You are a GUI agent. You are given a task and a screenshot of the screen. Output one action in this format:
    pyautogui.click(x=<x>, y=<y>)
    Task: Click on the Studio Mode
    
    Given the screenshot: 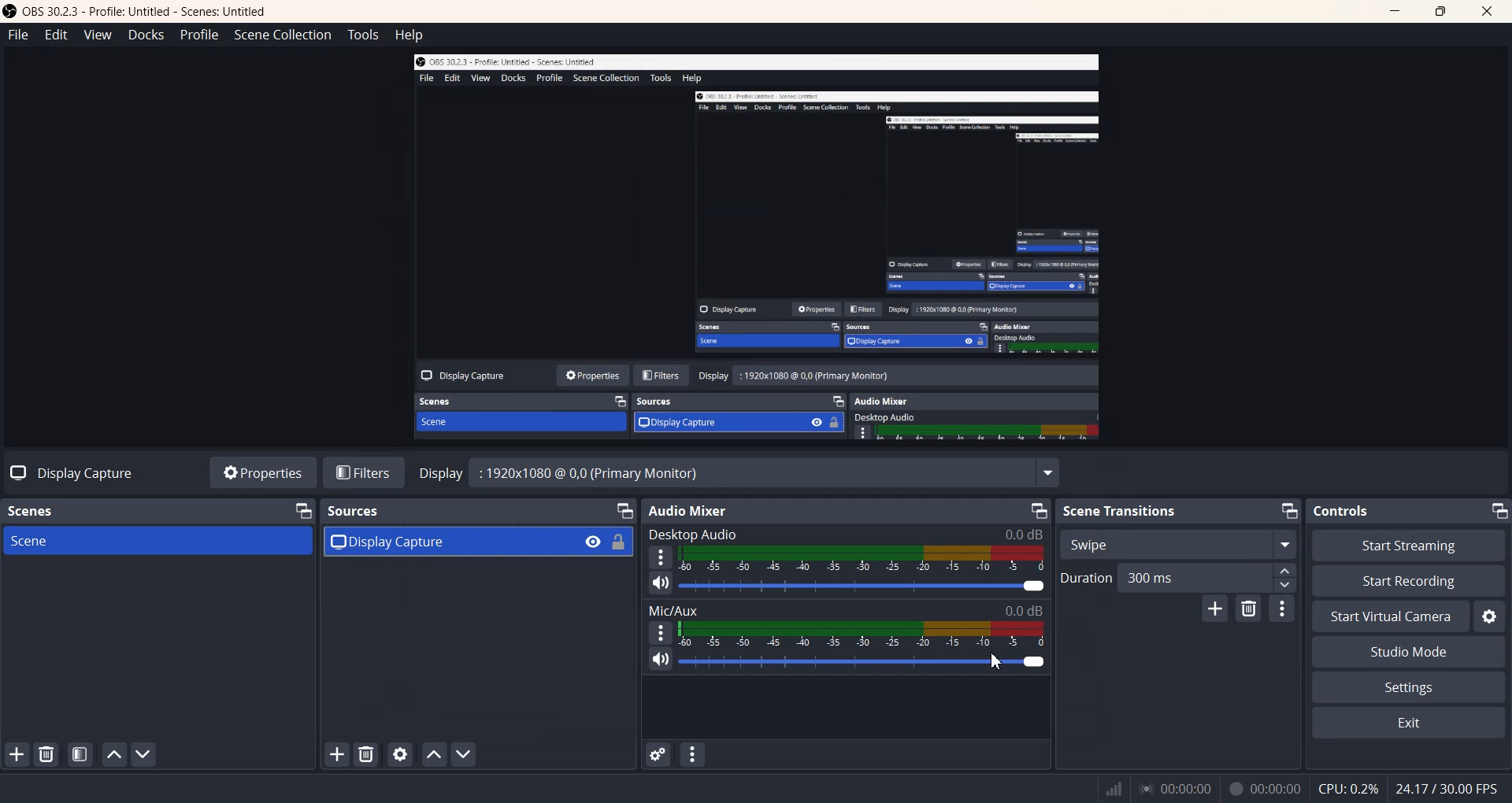 What is the action you would take?
    pyautogui.click(x=1407, y=653)
    